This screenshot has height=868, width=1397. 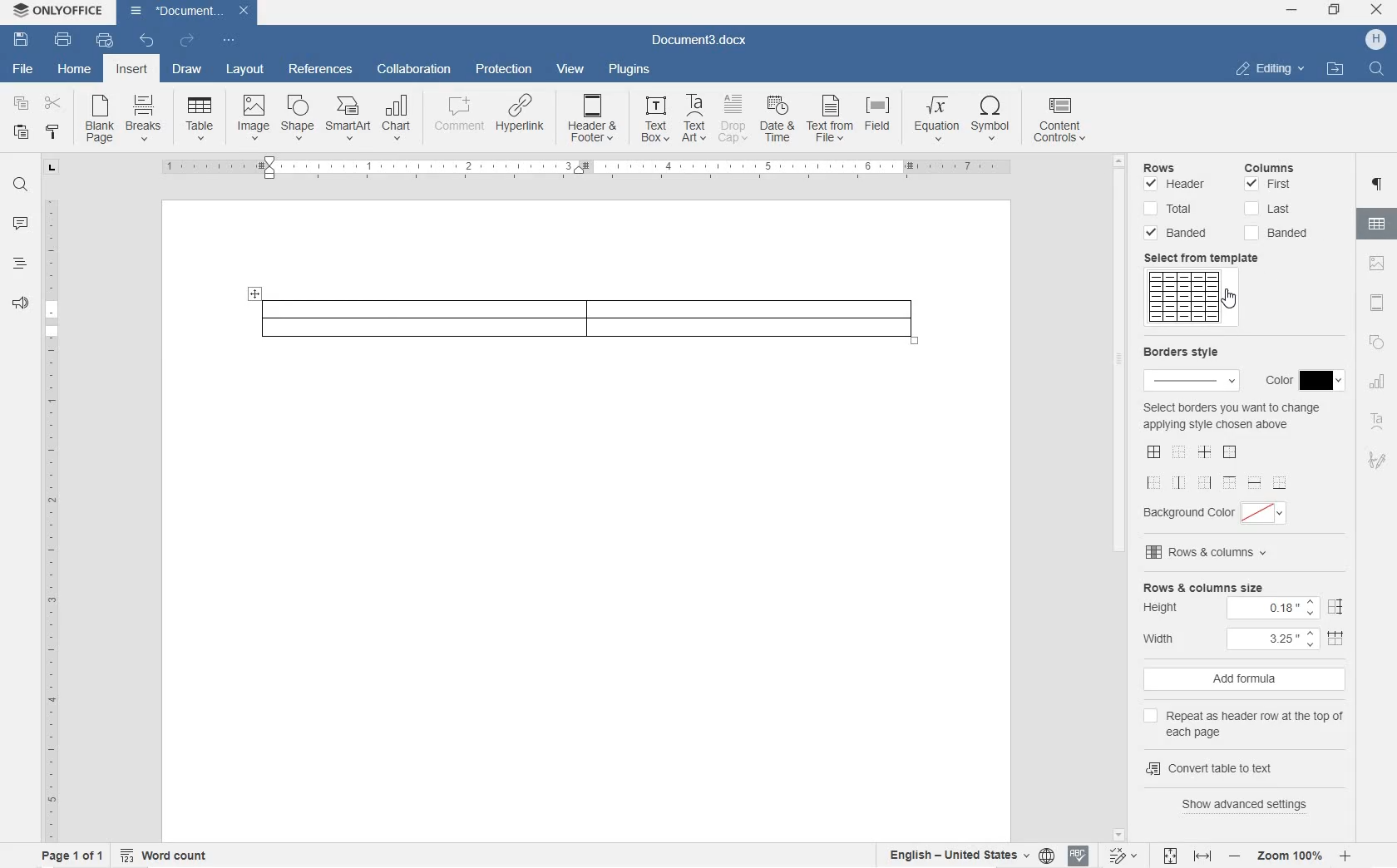 I want to click on show advanced settings, so click(x=1251, y=804).